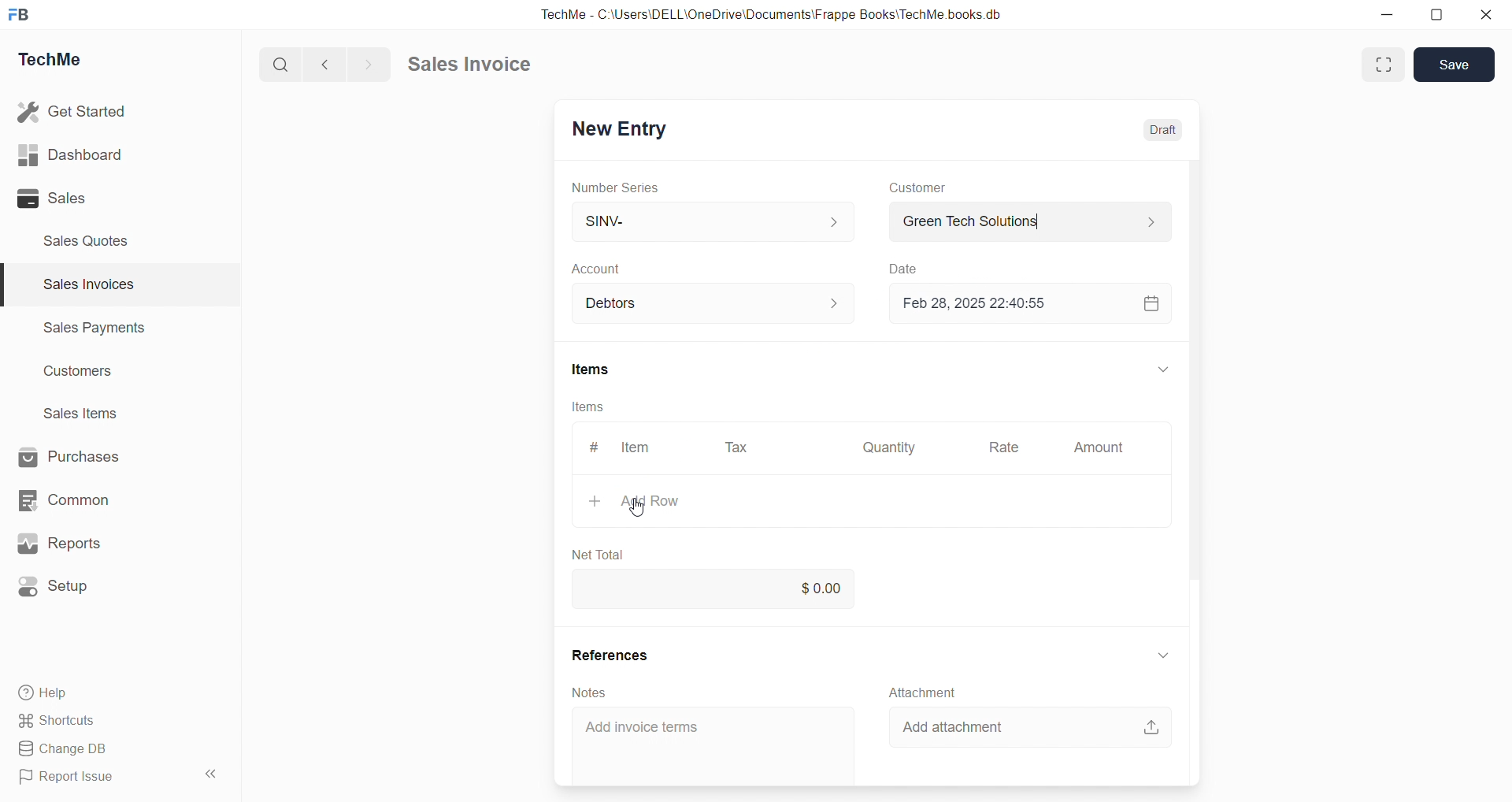  Describe the element at coordinates (604, 269) in the screenshot. I see `Account` at that location.